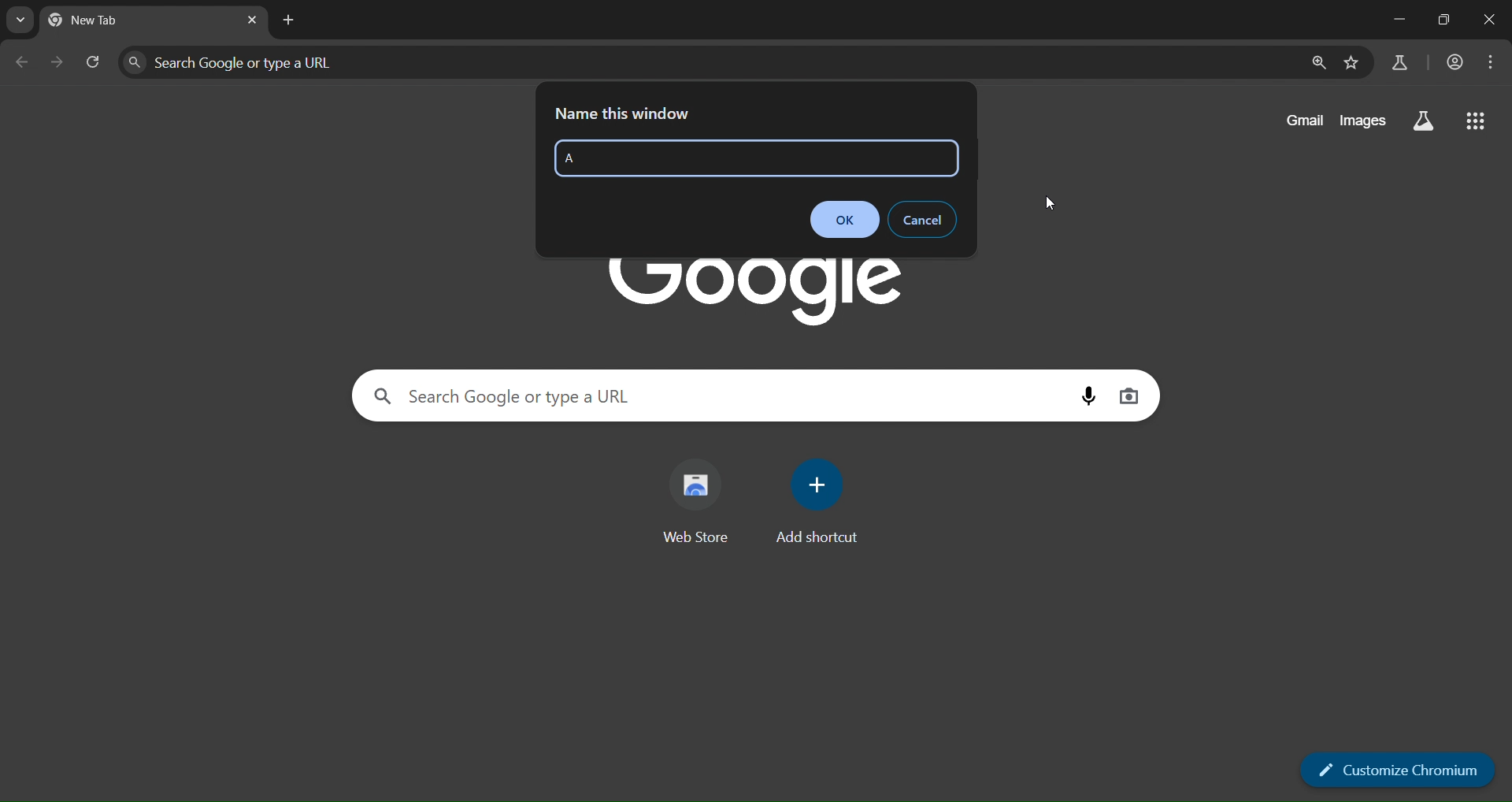  Describe the element at coordinates (250, 62) in the screenshot. I see `Search Google or type a URL` at that location.